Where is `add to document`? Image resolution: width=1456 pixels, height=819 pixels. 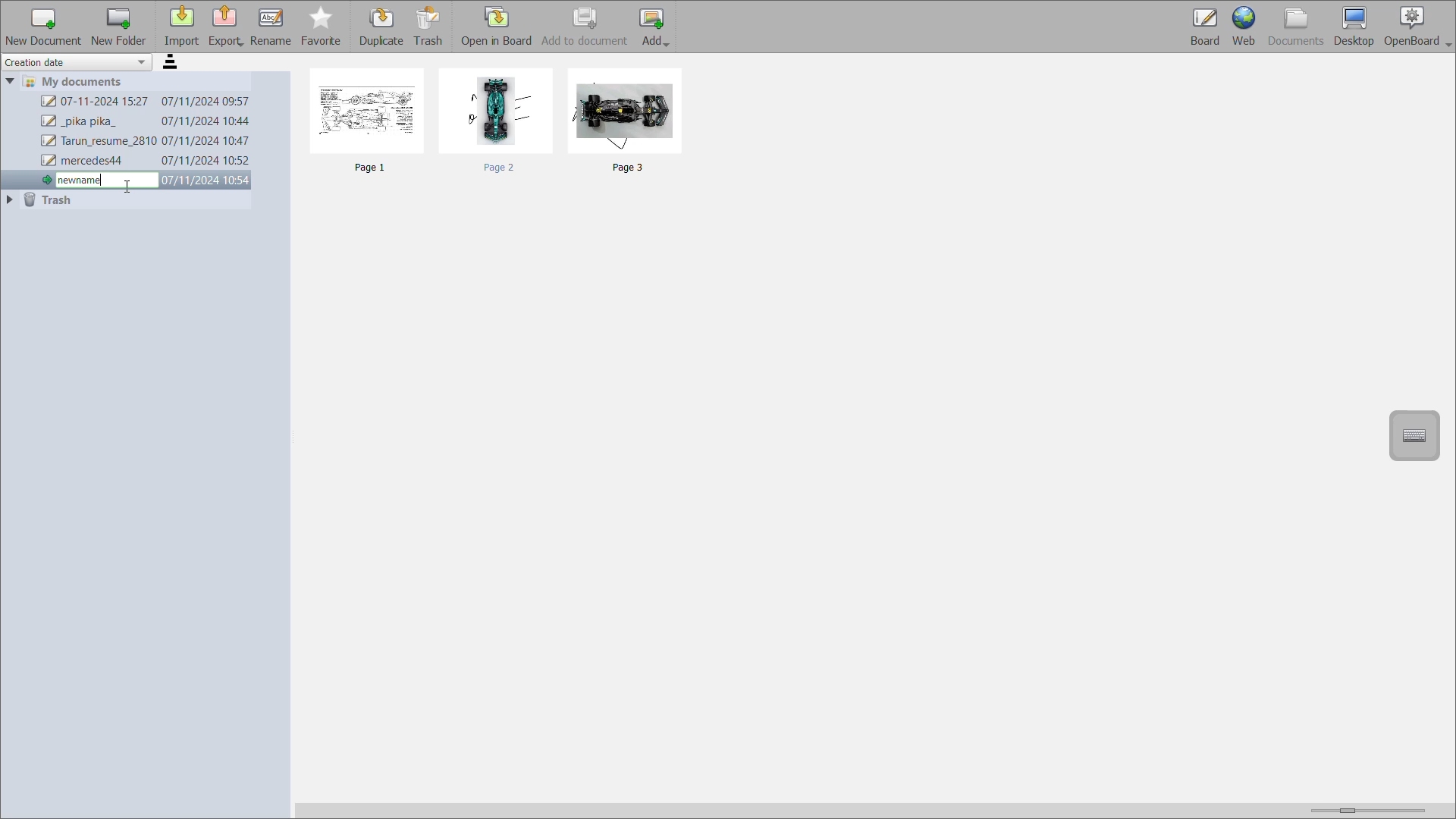
add to document is located at coordinates (586, 27).